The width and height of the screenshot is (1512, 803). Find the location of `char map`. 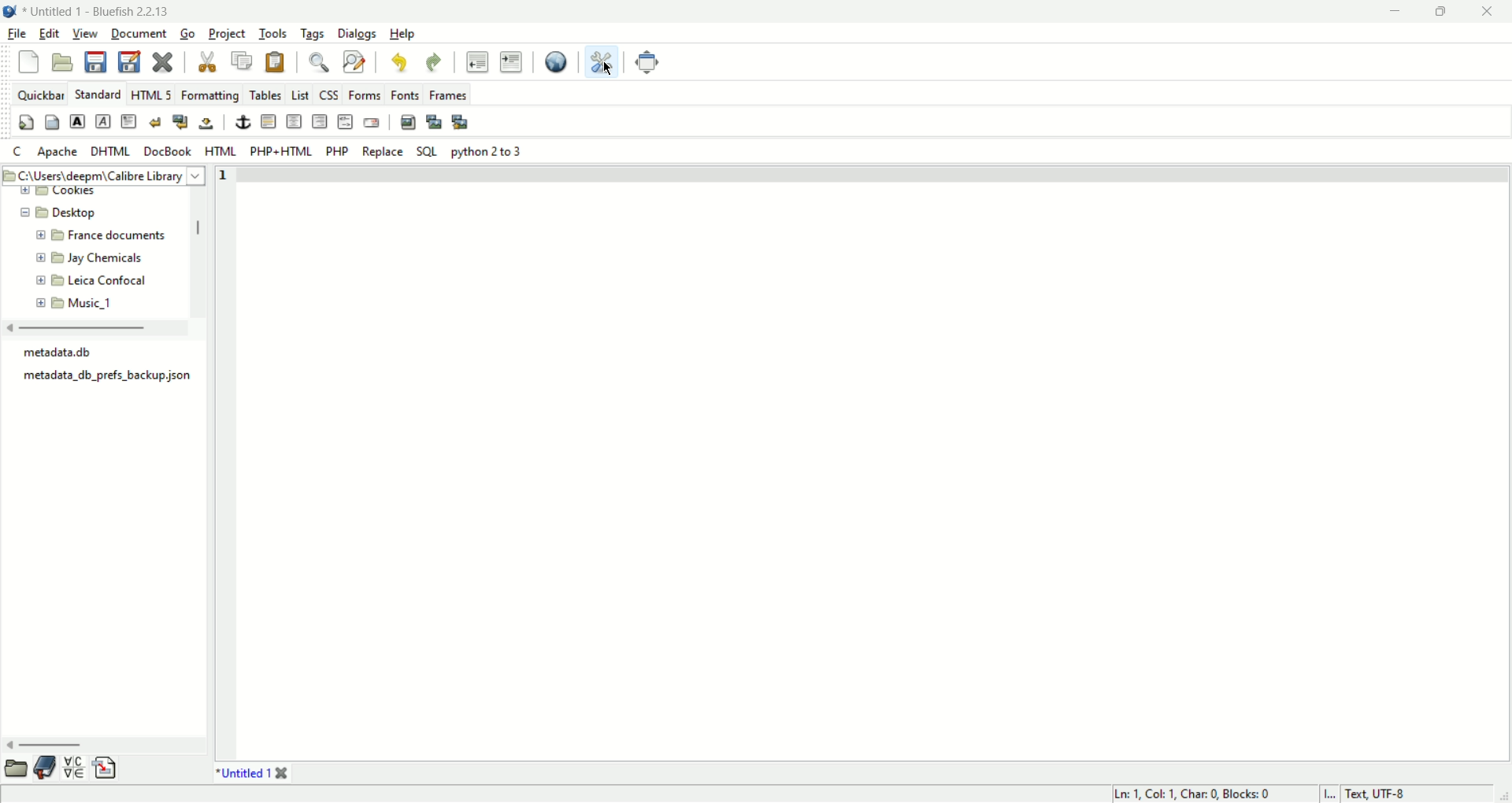

char map is located at coordinates (77, 769).